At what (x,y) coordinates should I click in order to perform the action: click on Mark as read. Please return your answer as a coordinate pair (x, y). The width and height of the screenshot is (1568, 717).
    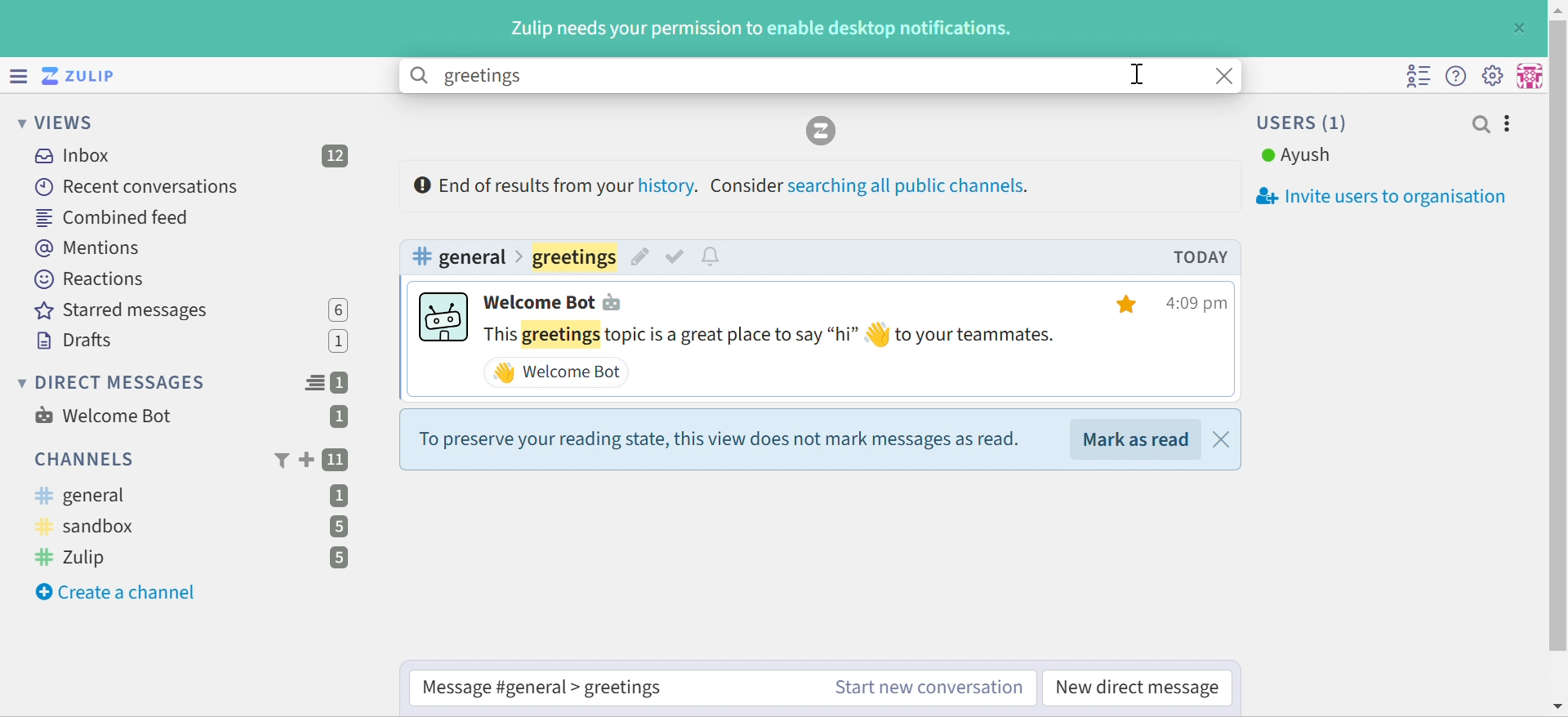
    Looking at the image, I should click on (1137, 439).